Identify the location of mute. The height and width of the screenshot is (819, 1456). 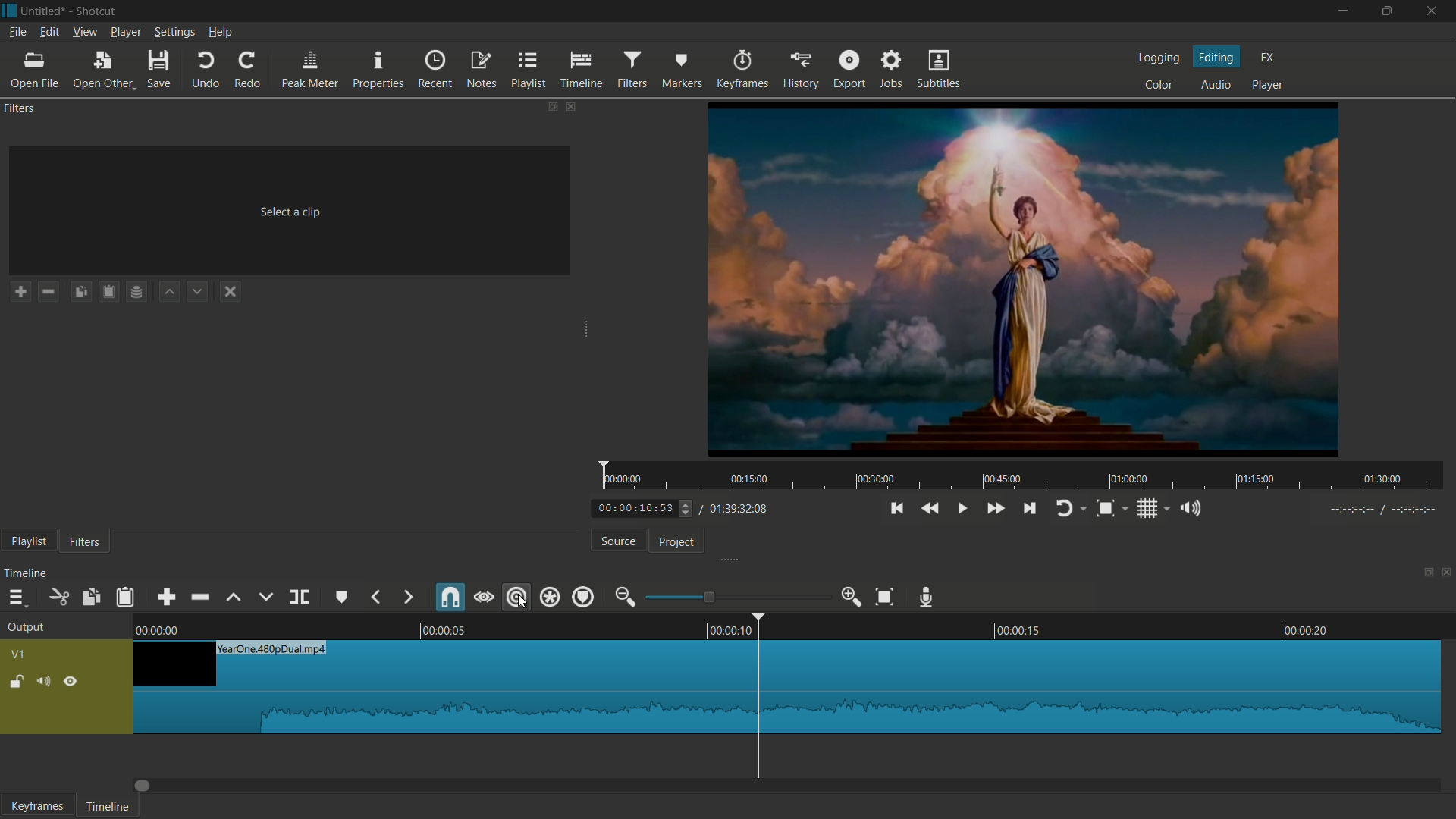
(43, 683).